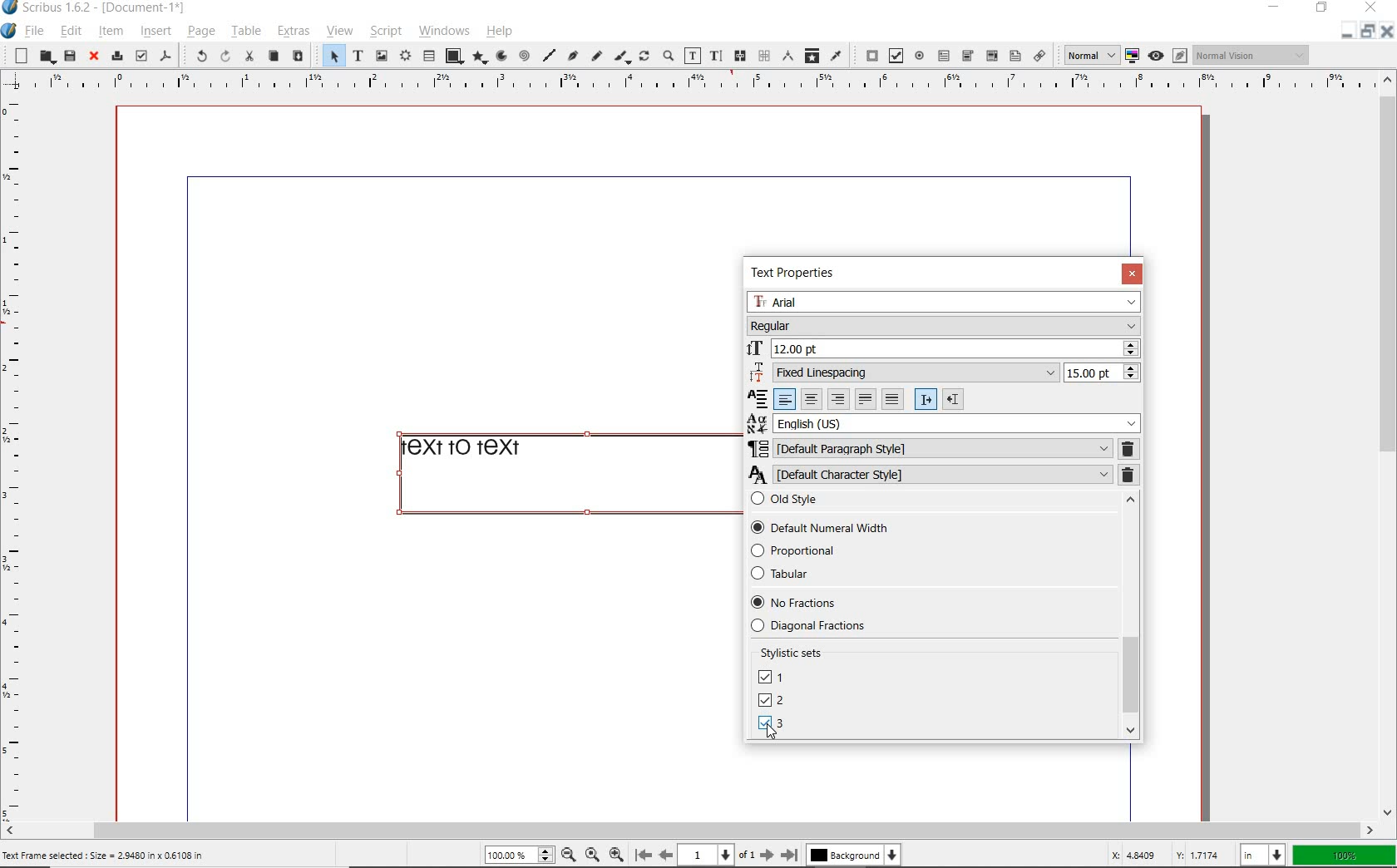  I want to click on view, so click(338, 33).